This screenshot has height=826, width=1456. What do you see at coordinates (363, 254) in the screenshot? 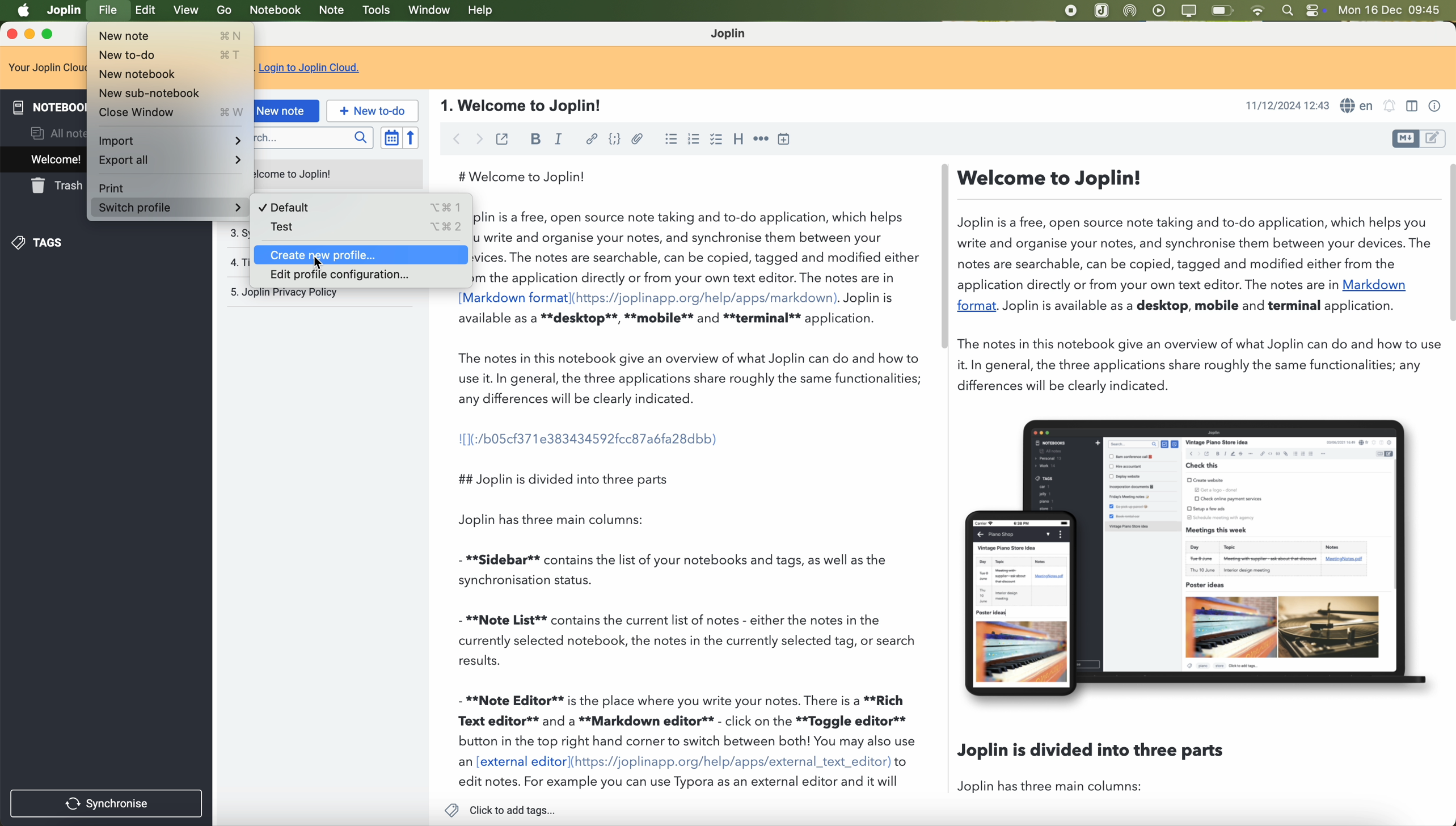
I see `Create new profile...` at bounding box center [363, 254].